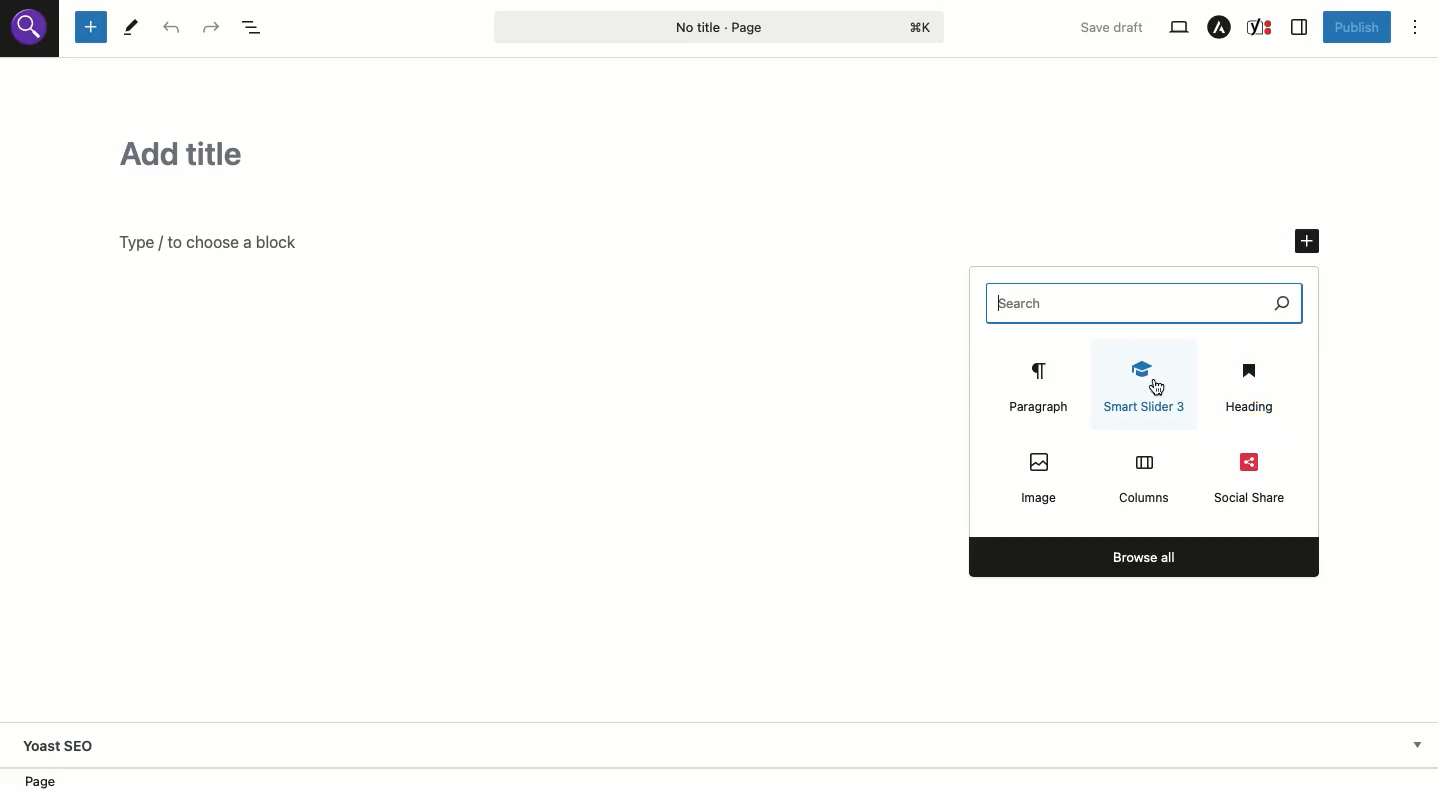 This screenshot has width=1438, height=792. I want to click on Yoast, so click(1262, 27).